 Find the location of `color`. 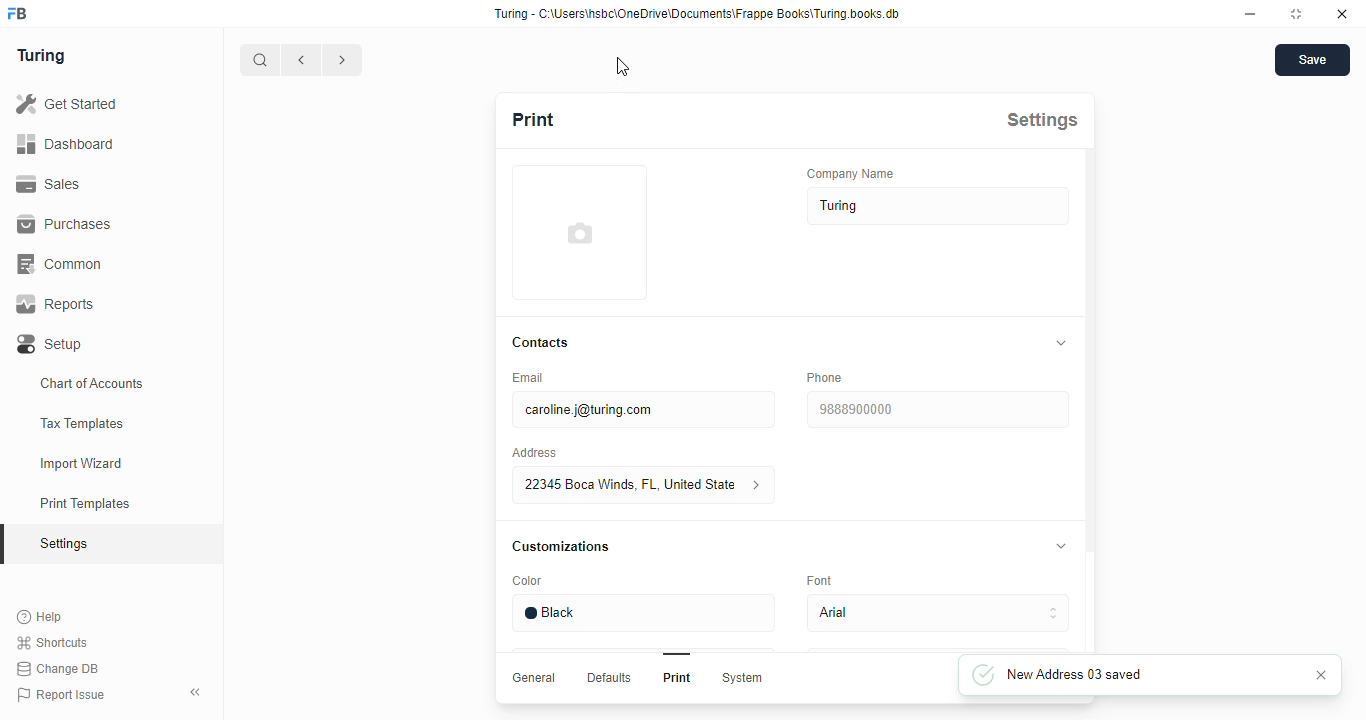

color is located at coordinates (529, 581).